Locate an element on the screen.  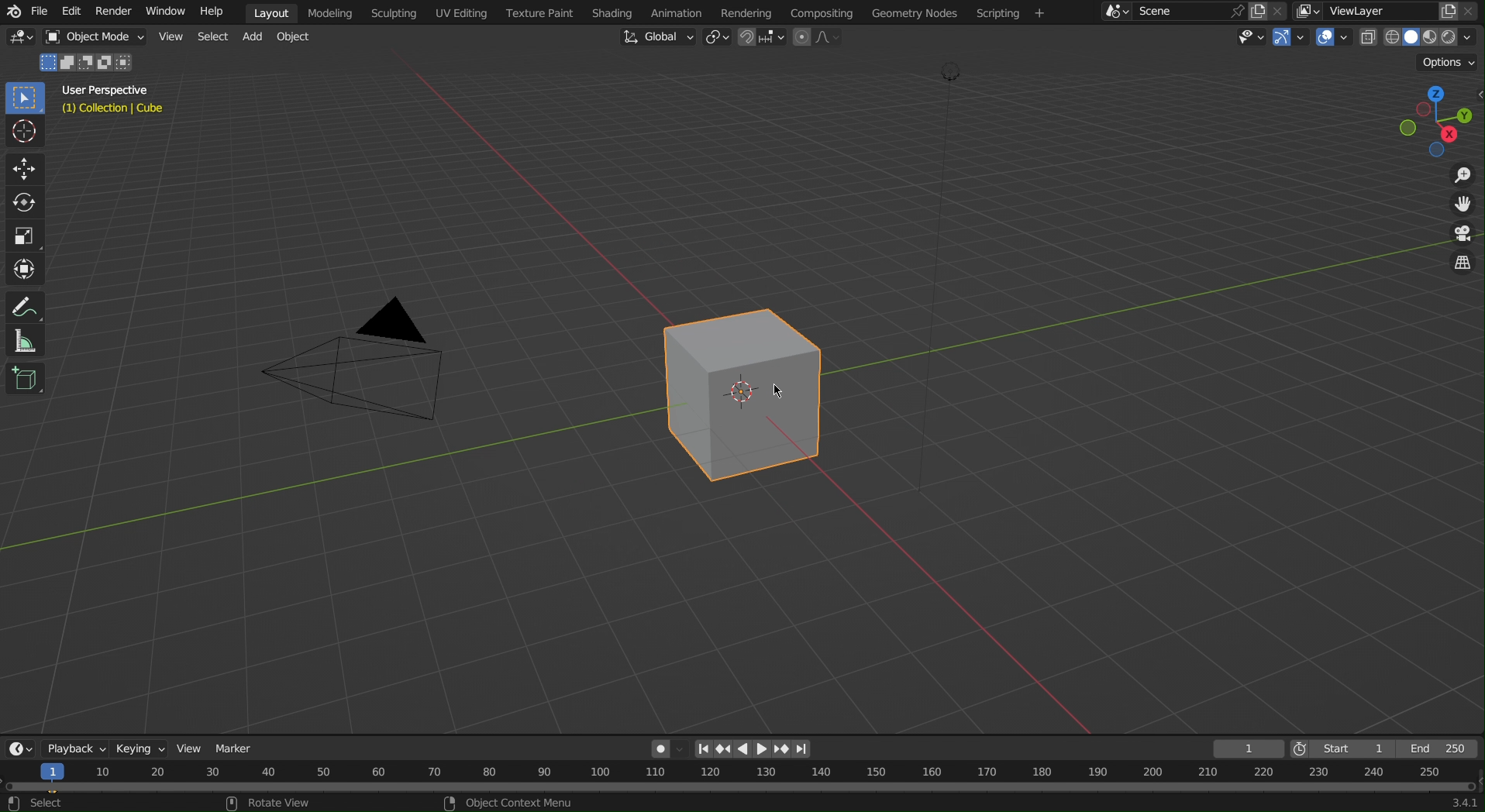
Sculpting is located at coordinates (392, 12).